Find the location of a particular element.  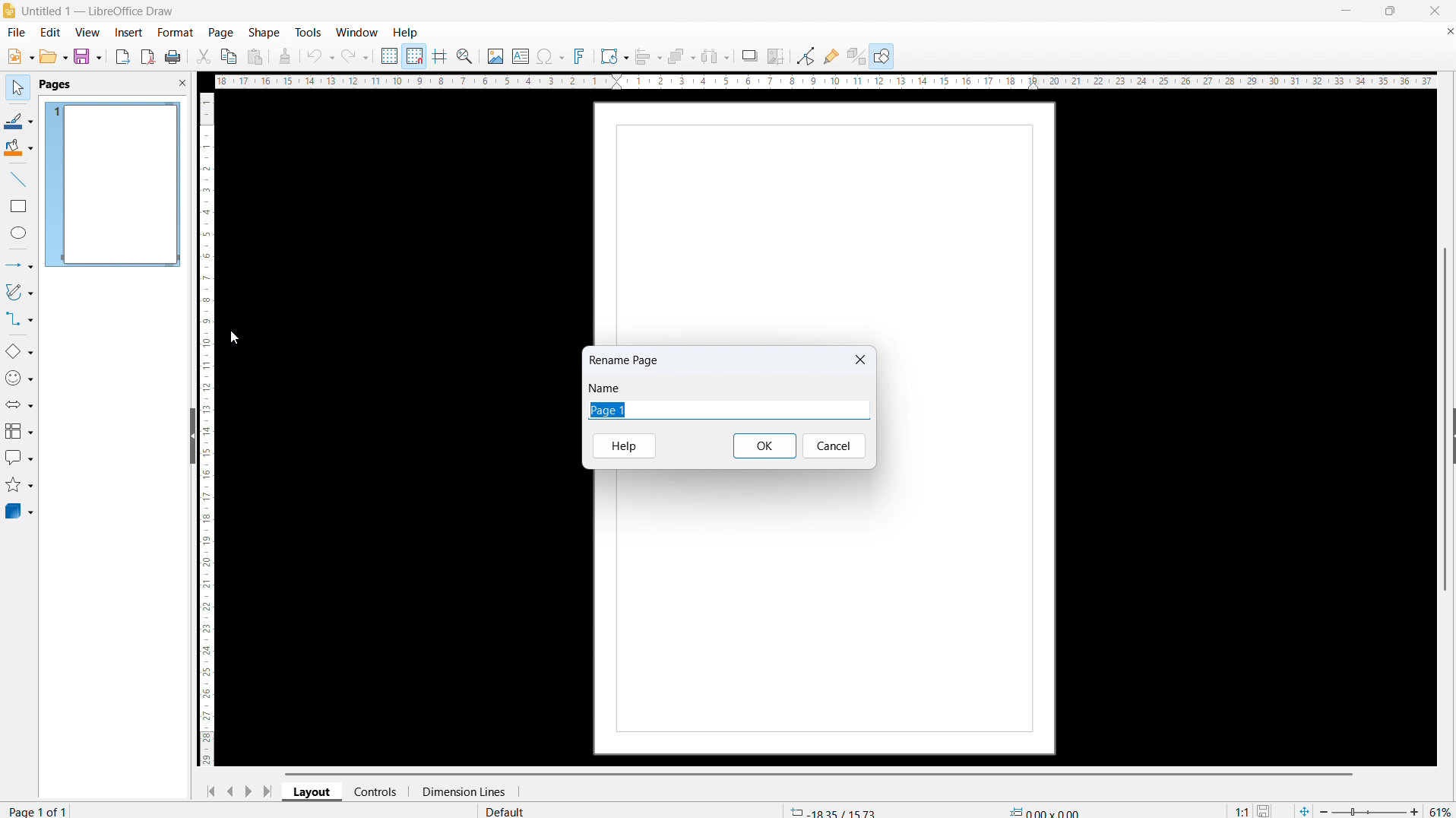

shape is located at coordinates (264, 33).